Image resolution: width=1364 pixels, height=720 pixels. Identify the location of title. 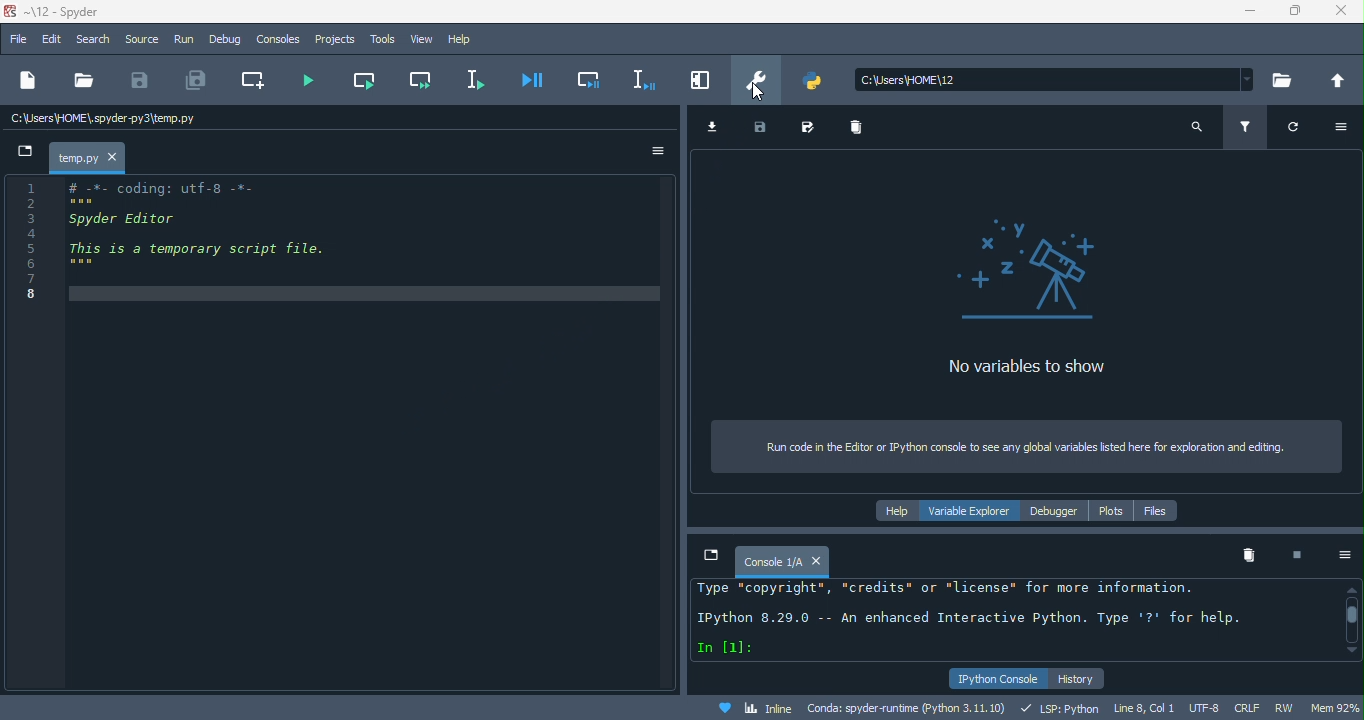
(62, 13).